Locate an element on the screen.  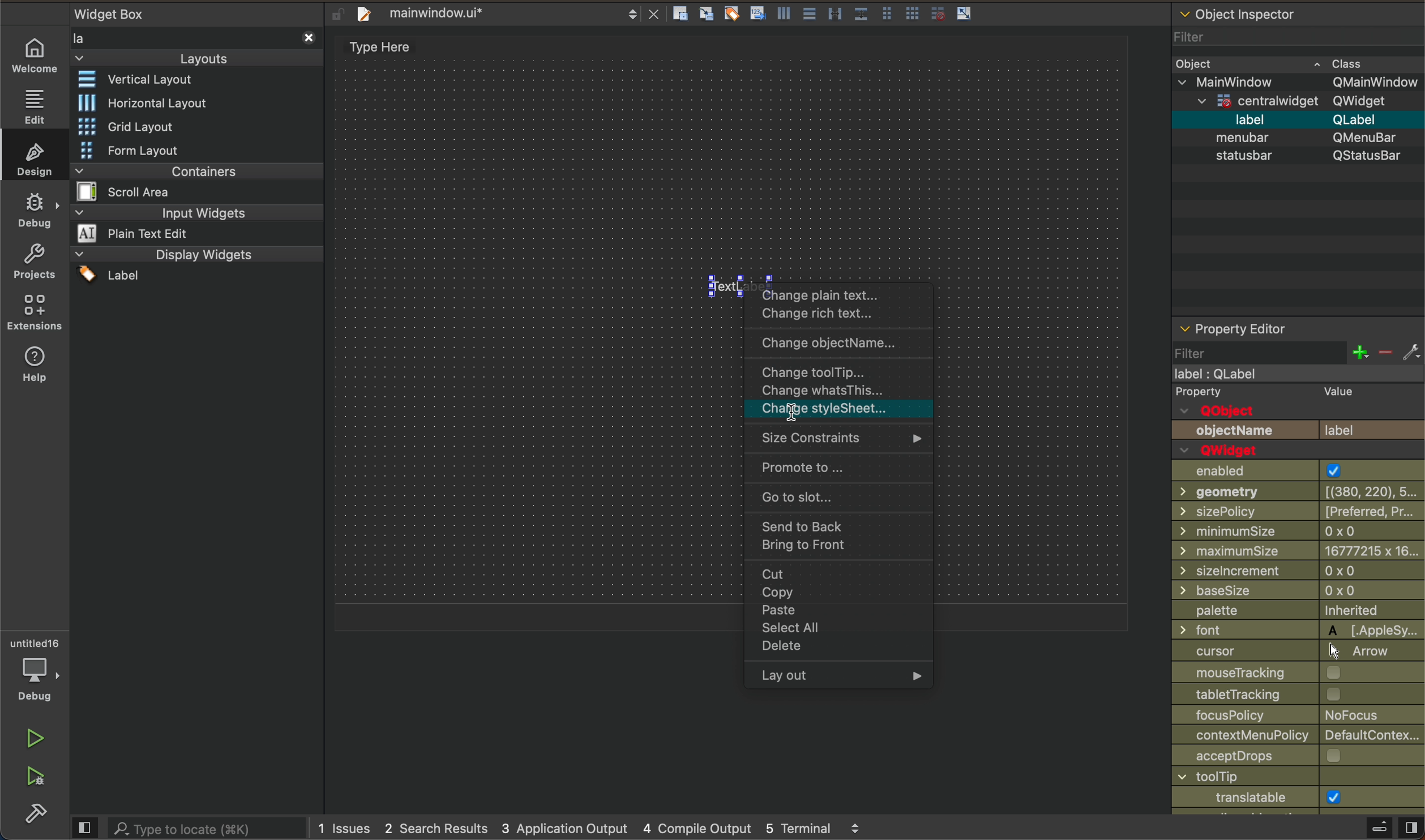
run abd debug is located at coordinates (41, 783).